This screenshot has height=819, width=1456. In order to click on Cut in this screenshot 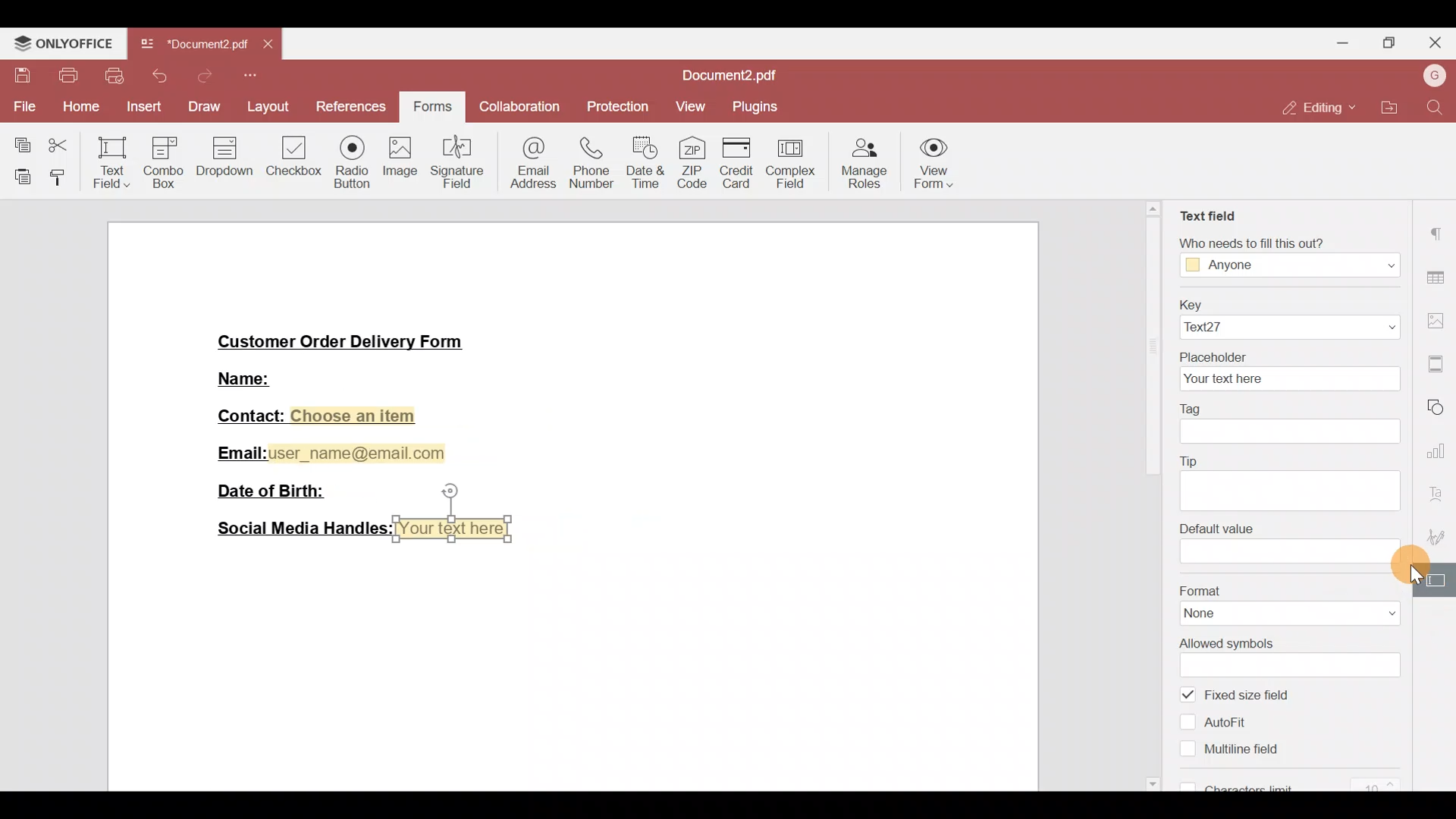, I will do `click(60, 146)`.